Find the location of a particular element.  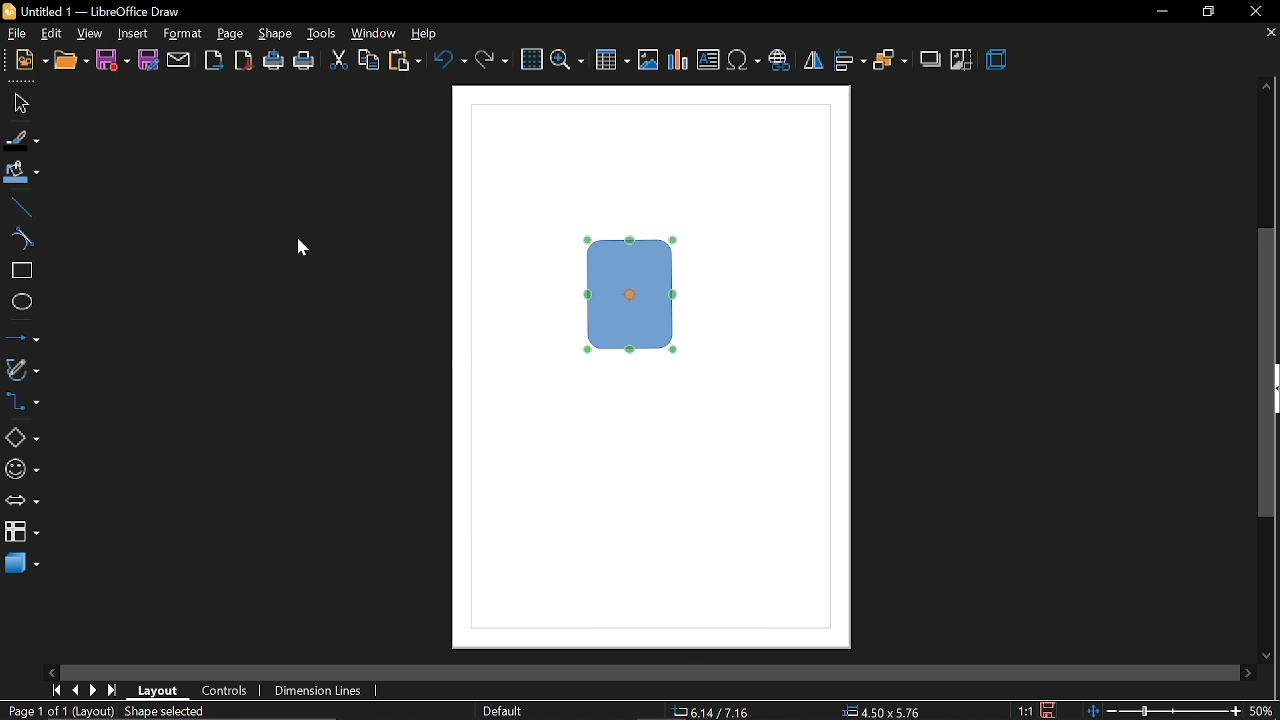

3d shapes is located at coordinates (22, 564).